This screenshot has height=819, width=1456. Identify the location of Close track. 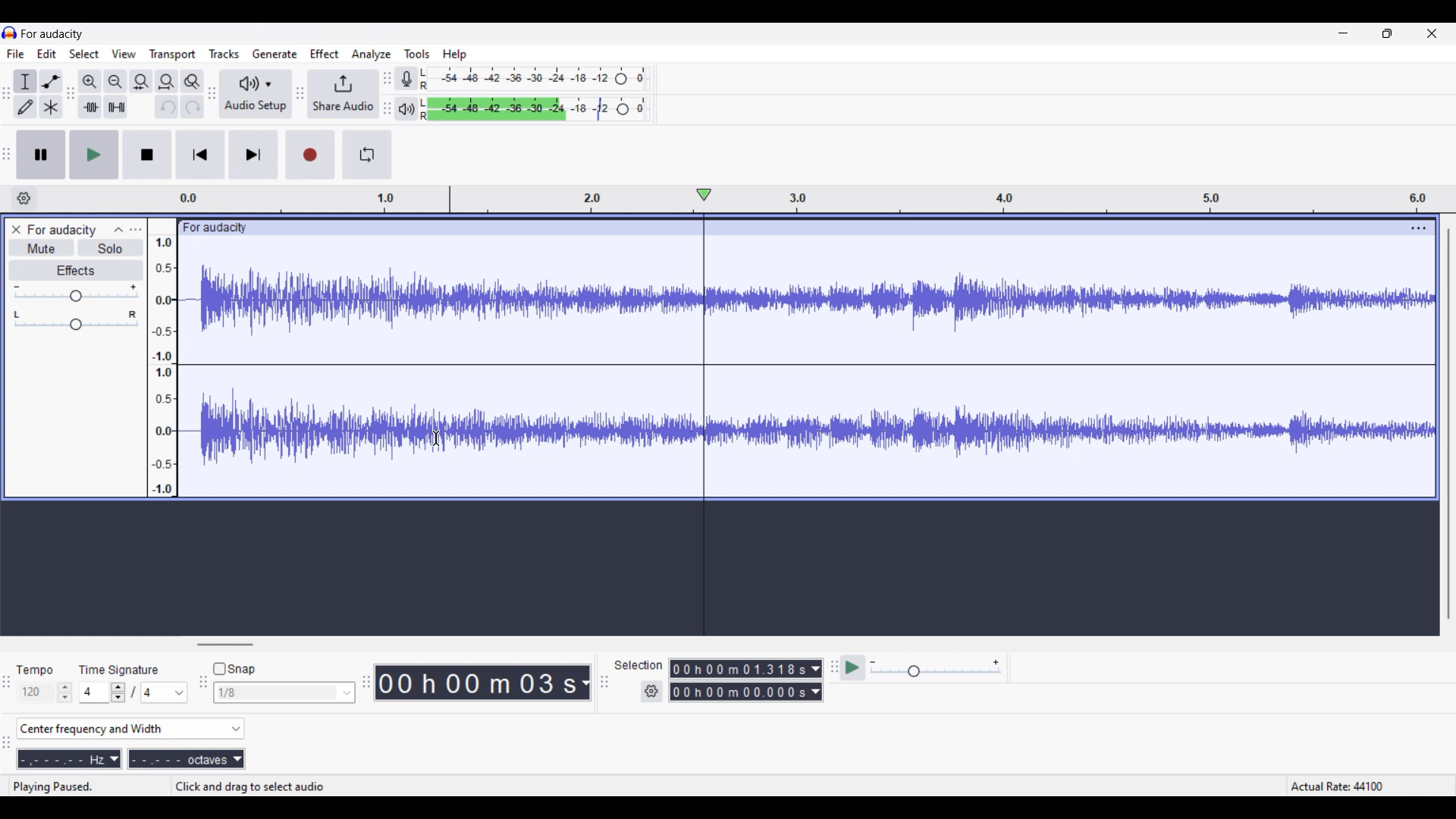
(16, 230).